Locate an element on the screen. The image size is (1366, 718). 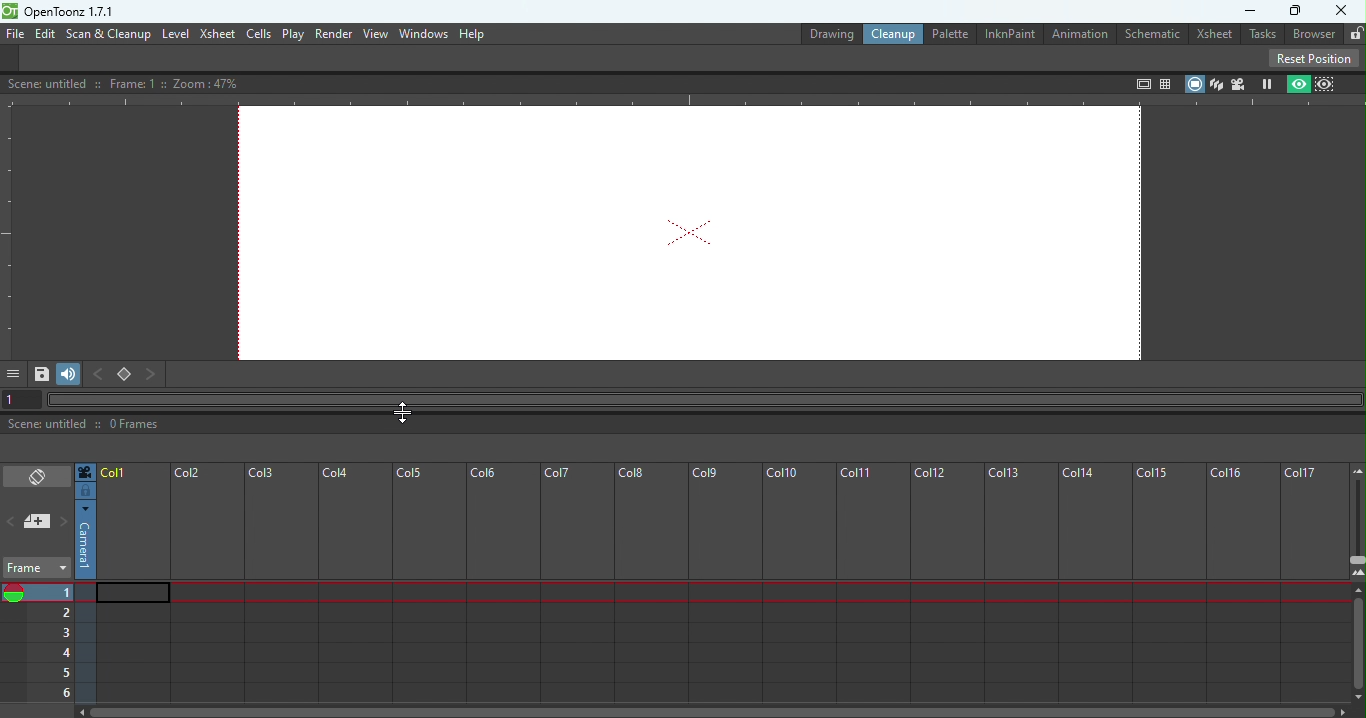
Set the current frame is located at coordinates (51, 590).